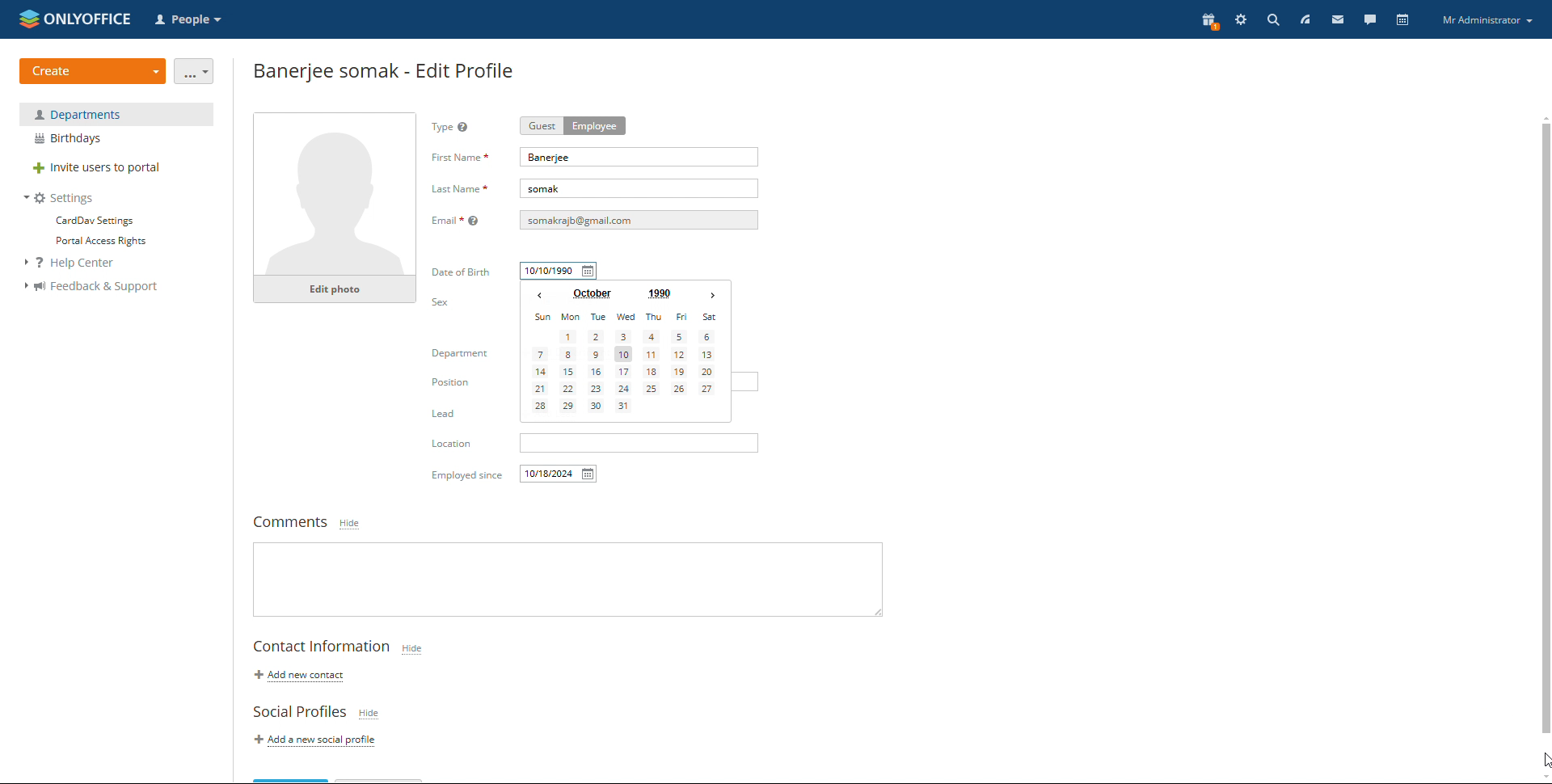 This screenshot has height=784, width=1552. I want to click on first name, so click(639, 158).